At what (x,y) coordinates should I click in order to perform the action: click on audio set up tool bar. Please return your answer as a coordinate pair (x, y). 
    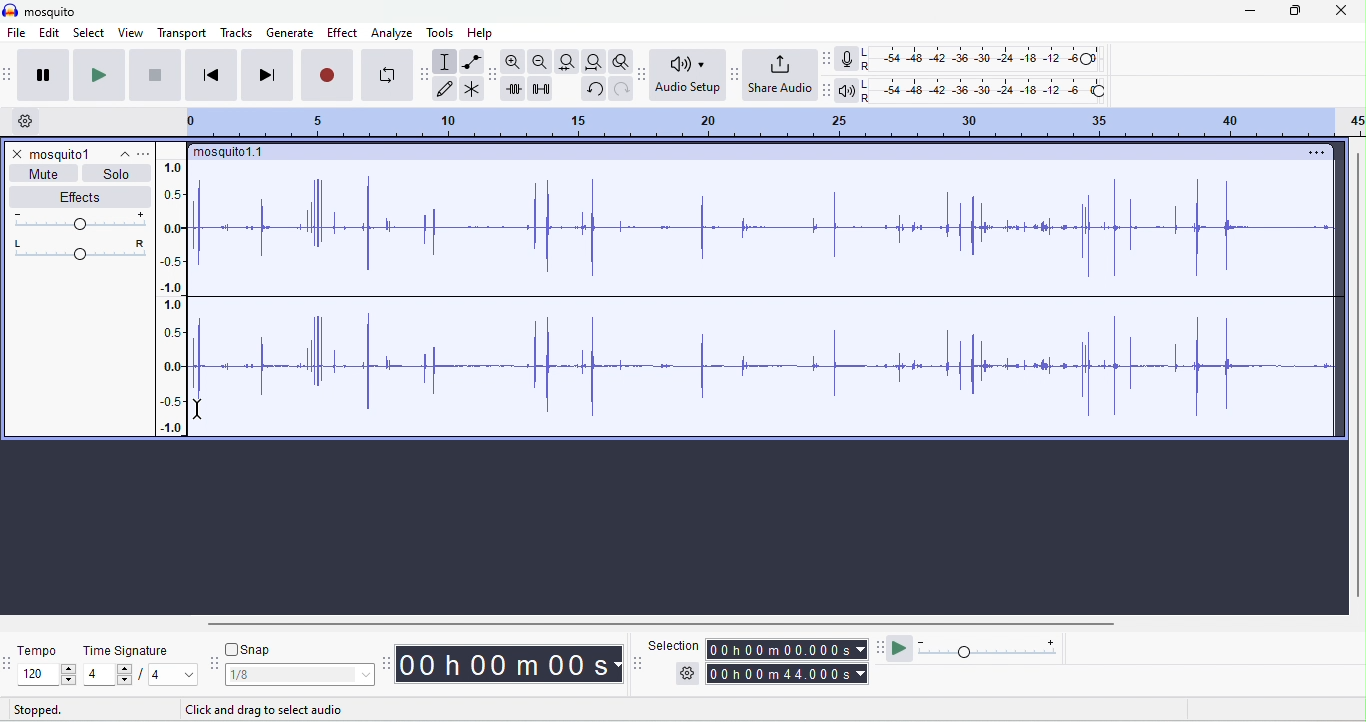
    Looking at the image, I should click on (644, 74).